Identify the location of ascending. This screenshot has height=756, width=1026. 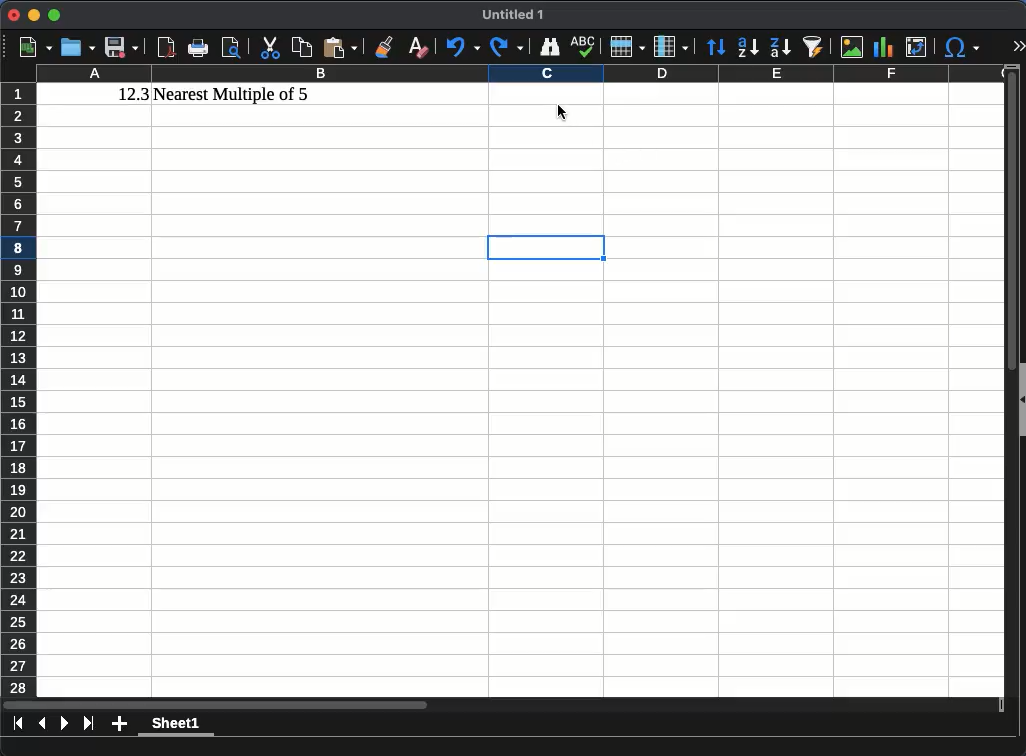
(748, 48).